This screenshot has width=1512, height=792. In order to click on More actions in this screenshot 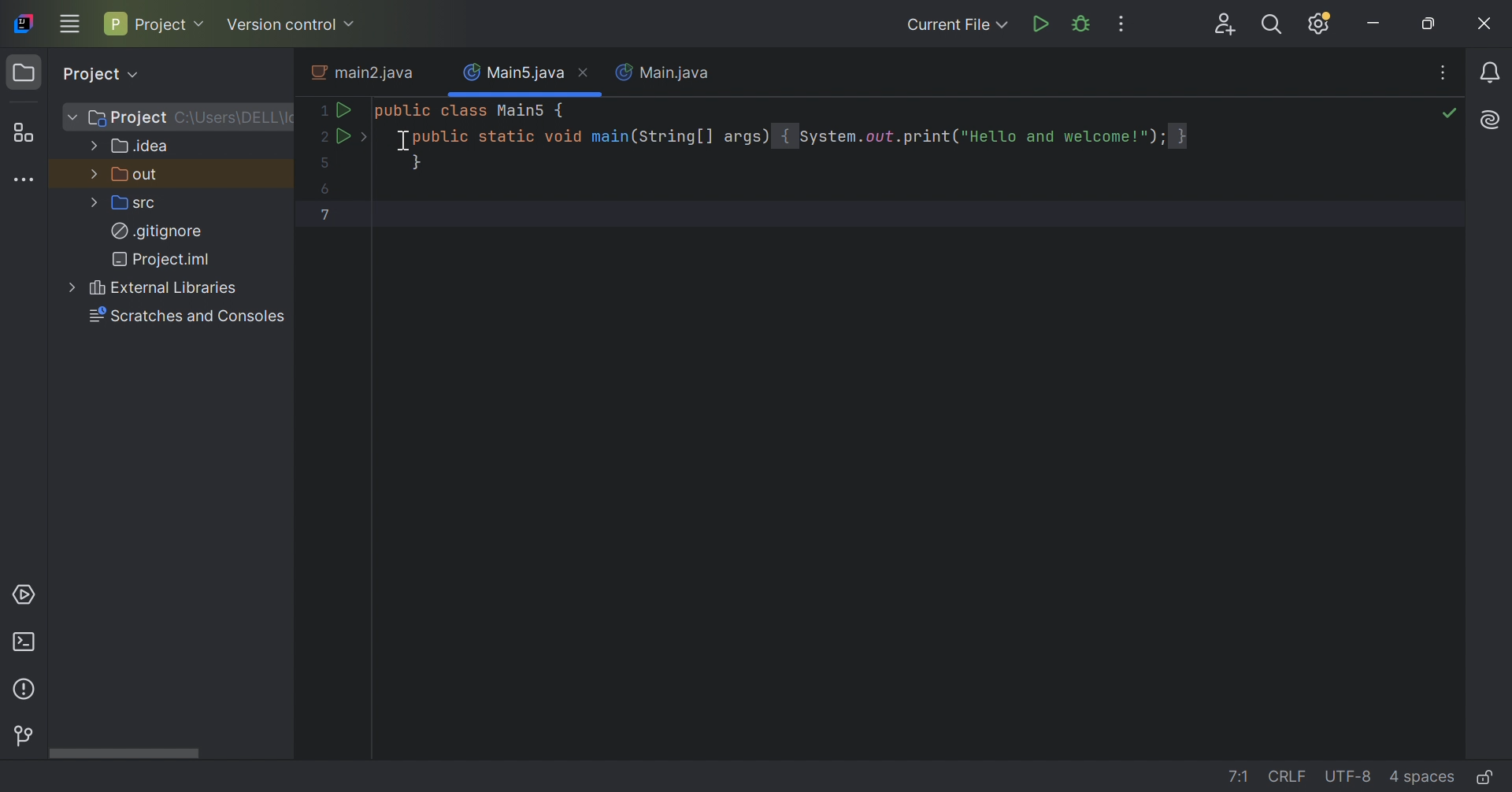, I will do `click(1122, 23)`.